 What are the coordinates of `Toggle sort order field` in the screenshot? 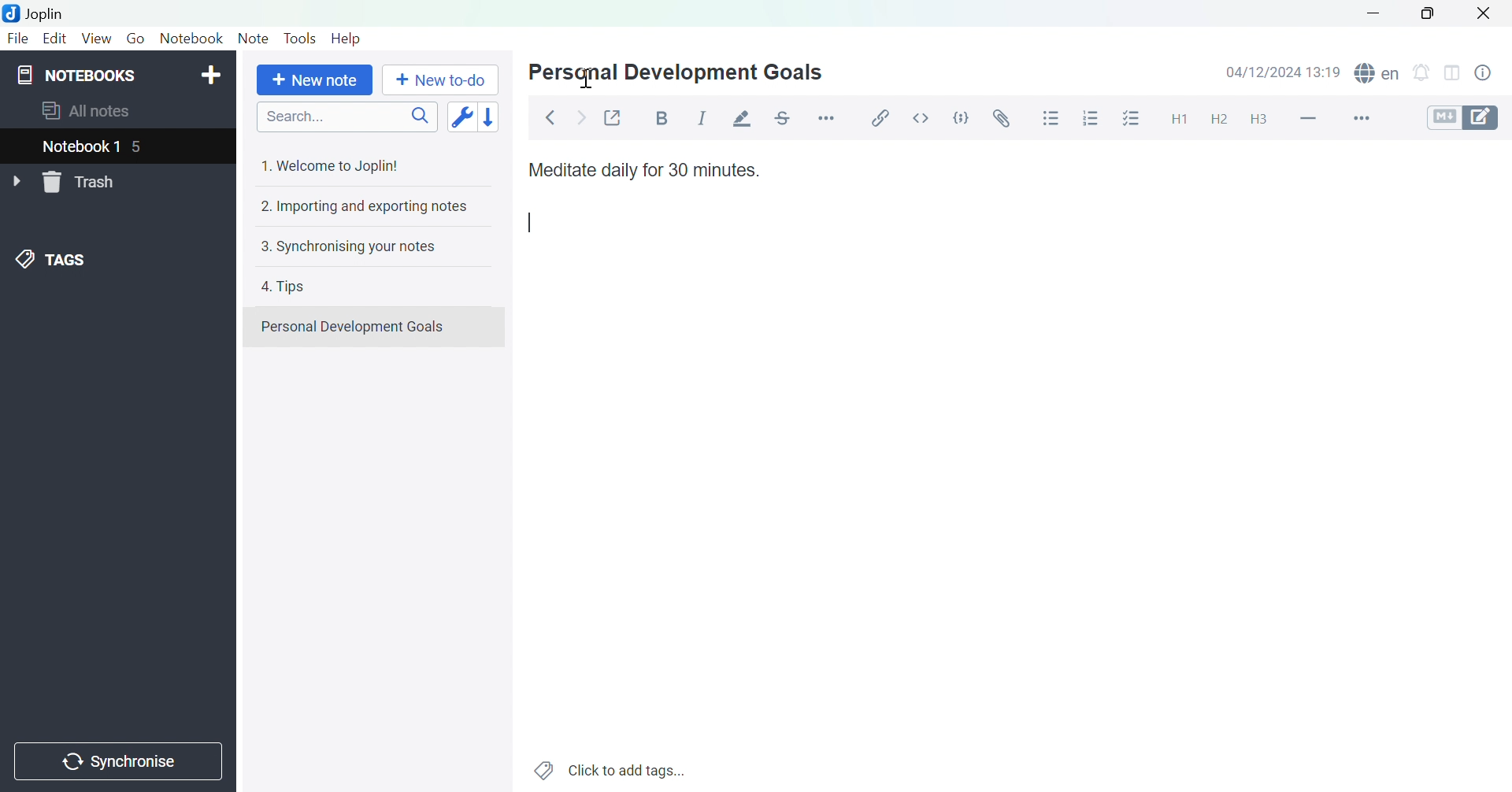 It's located at (460, 116).